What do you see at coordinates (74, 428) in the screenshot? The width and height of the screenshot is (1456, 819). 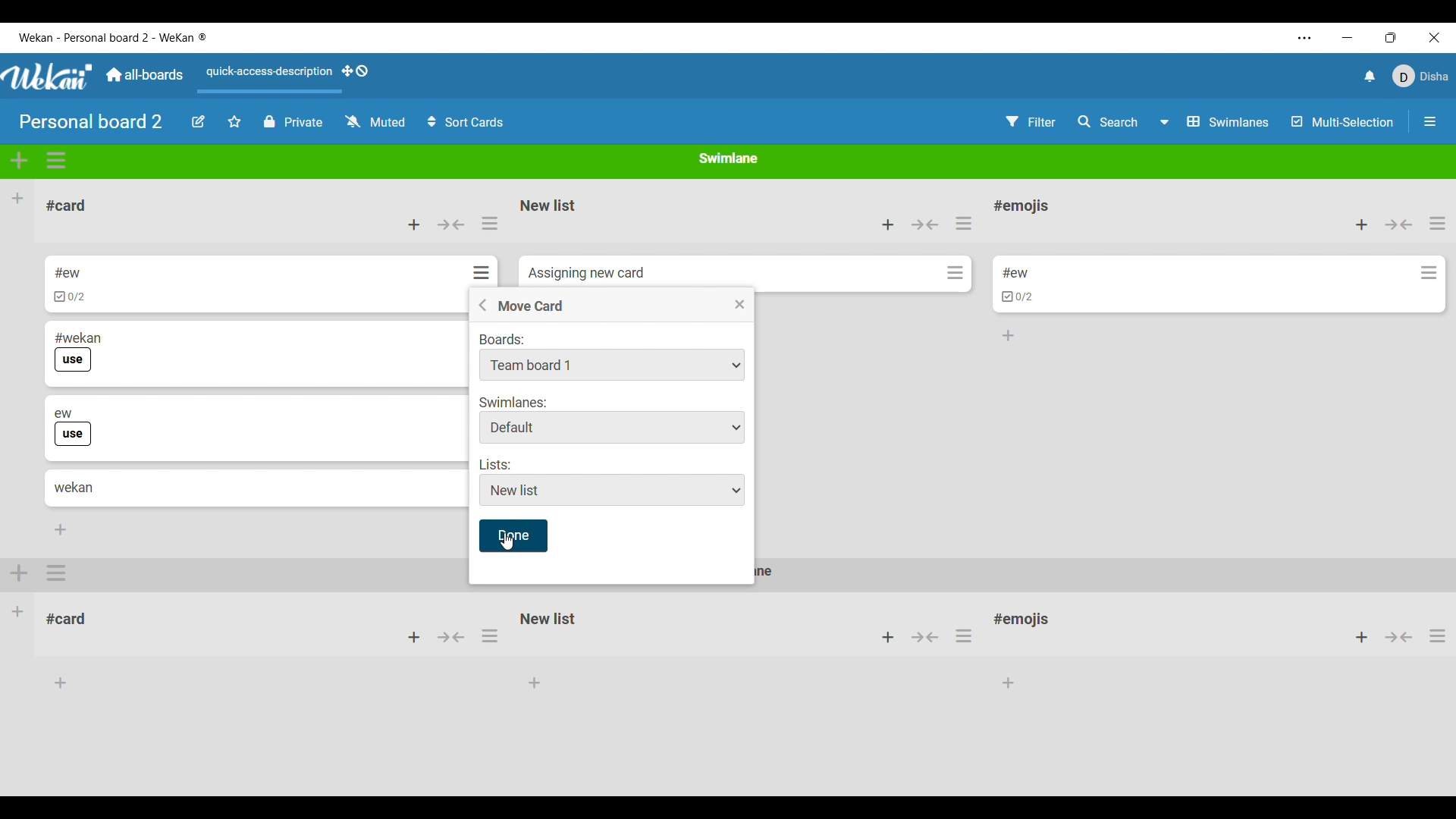 I see `Card title and label` at bounding box center [74, 428].